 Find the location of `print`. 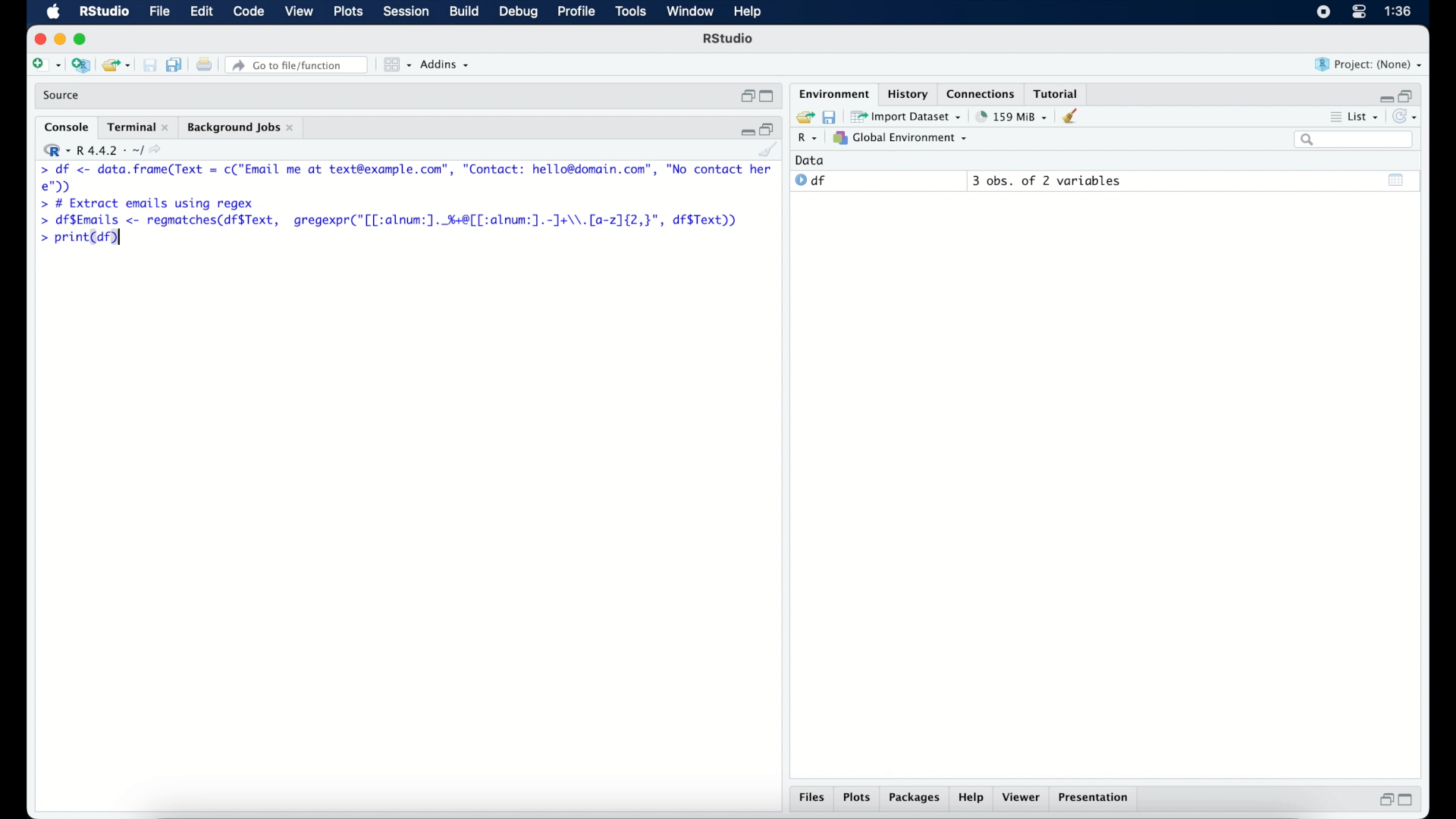

print is located at coordinates (203, 64).